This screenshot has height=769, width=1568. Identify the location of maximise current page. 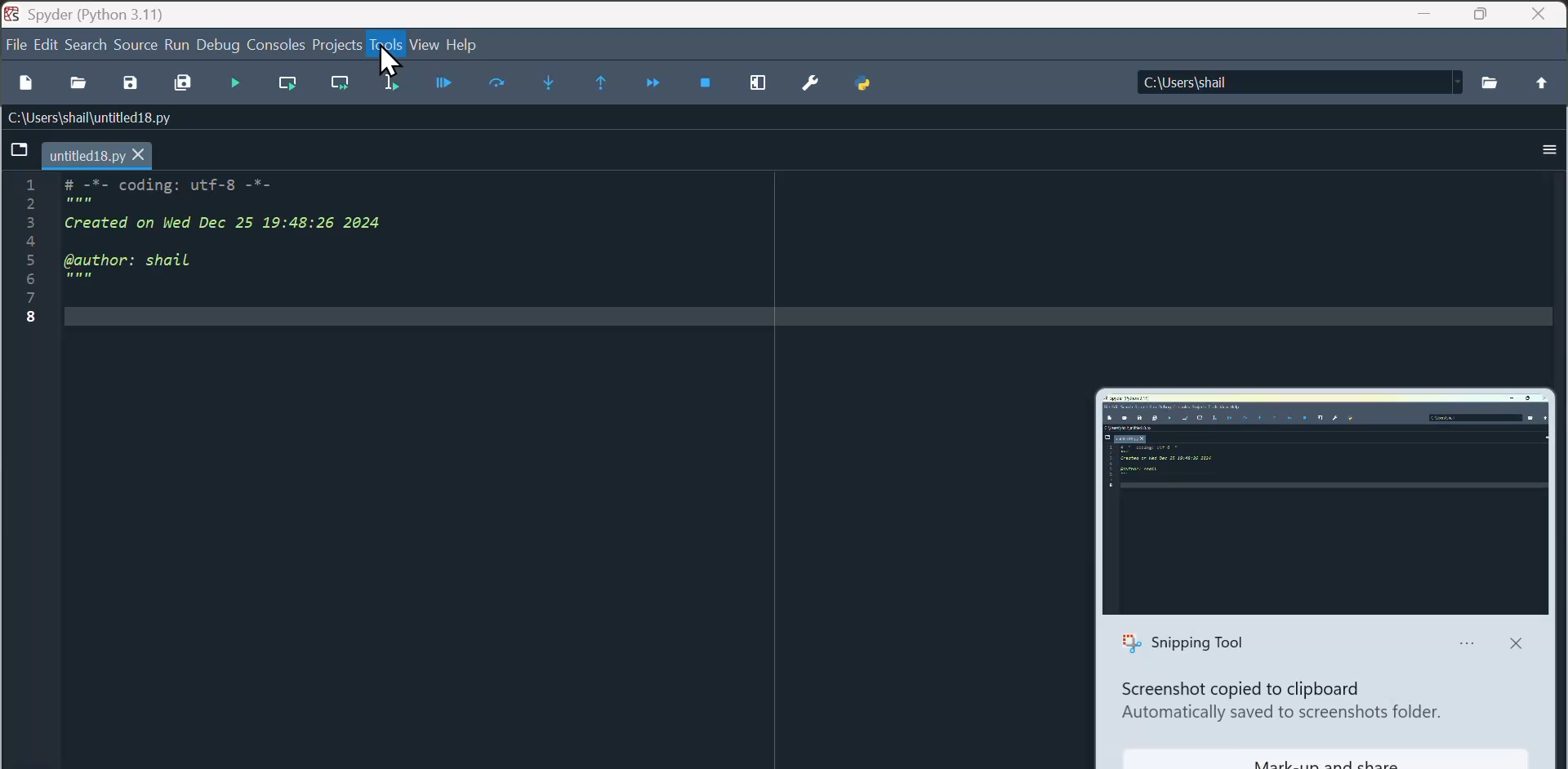
(760, 84).